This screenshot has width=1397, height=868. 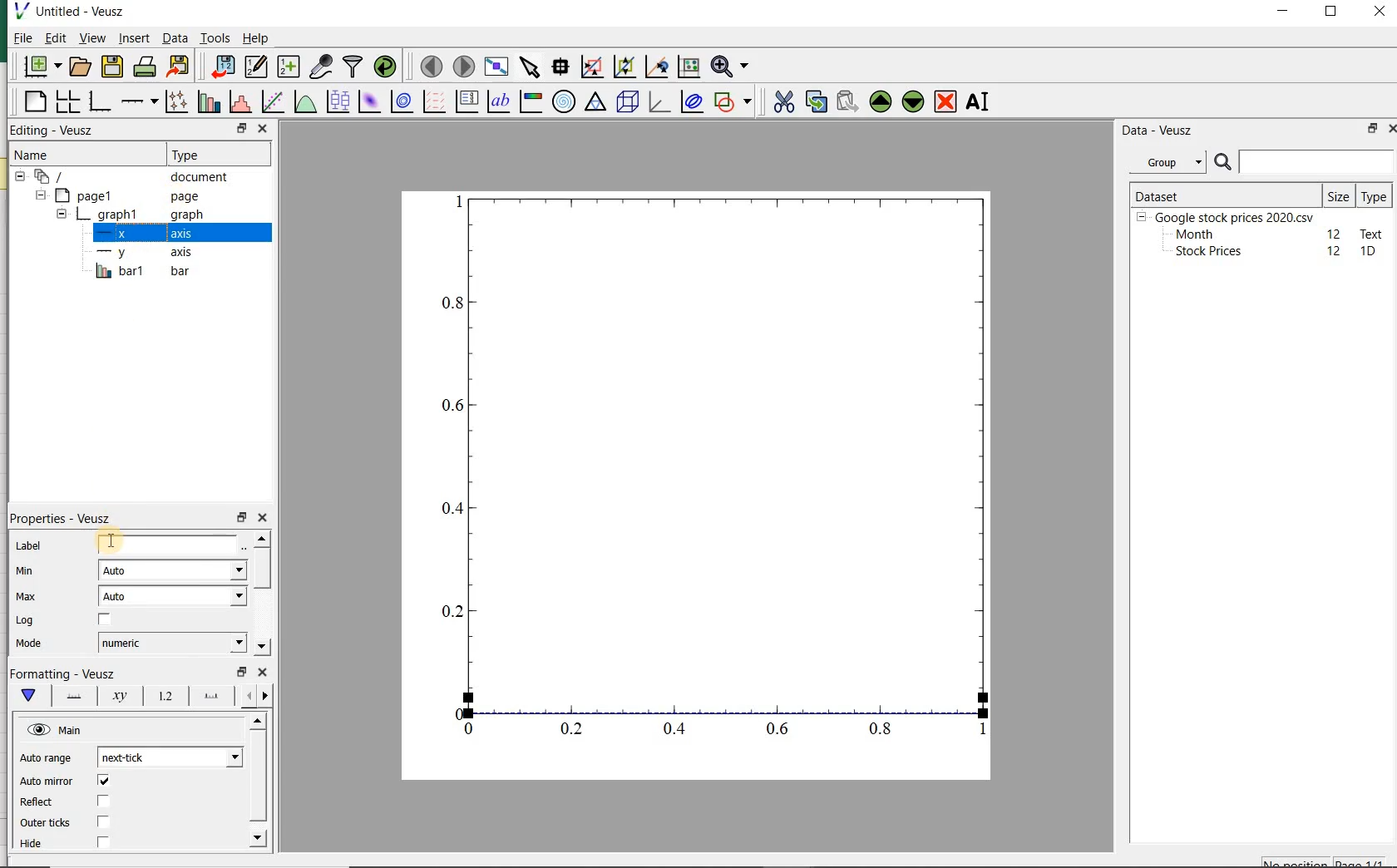 I want to click on histogram of a dataset, so click(x=239, y=104).